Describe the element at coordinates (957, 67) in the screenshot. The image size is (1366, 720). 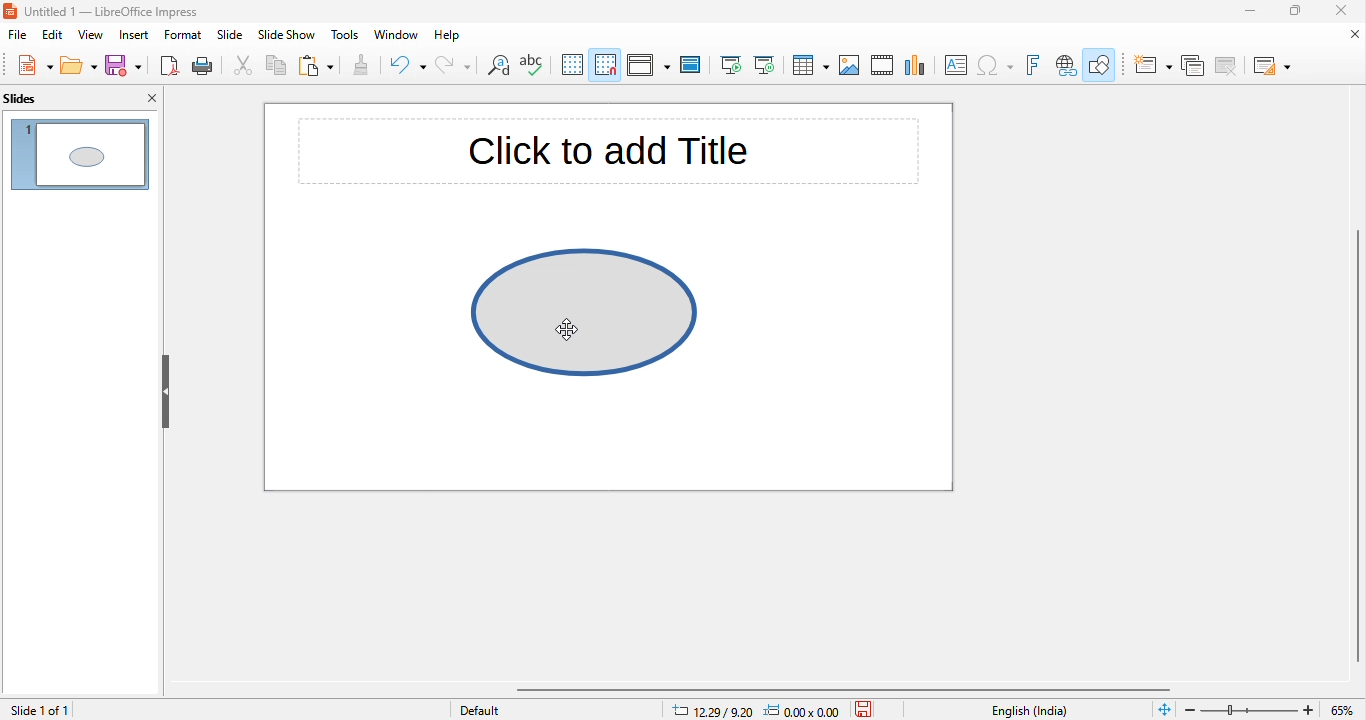
I see `text box` at that location.